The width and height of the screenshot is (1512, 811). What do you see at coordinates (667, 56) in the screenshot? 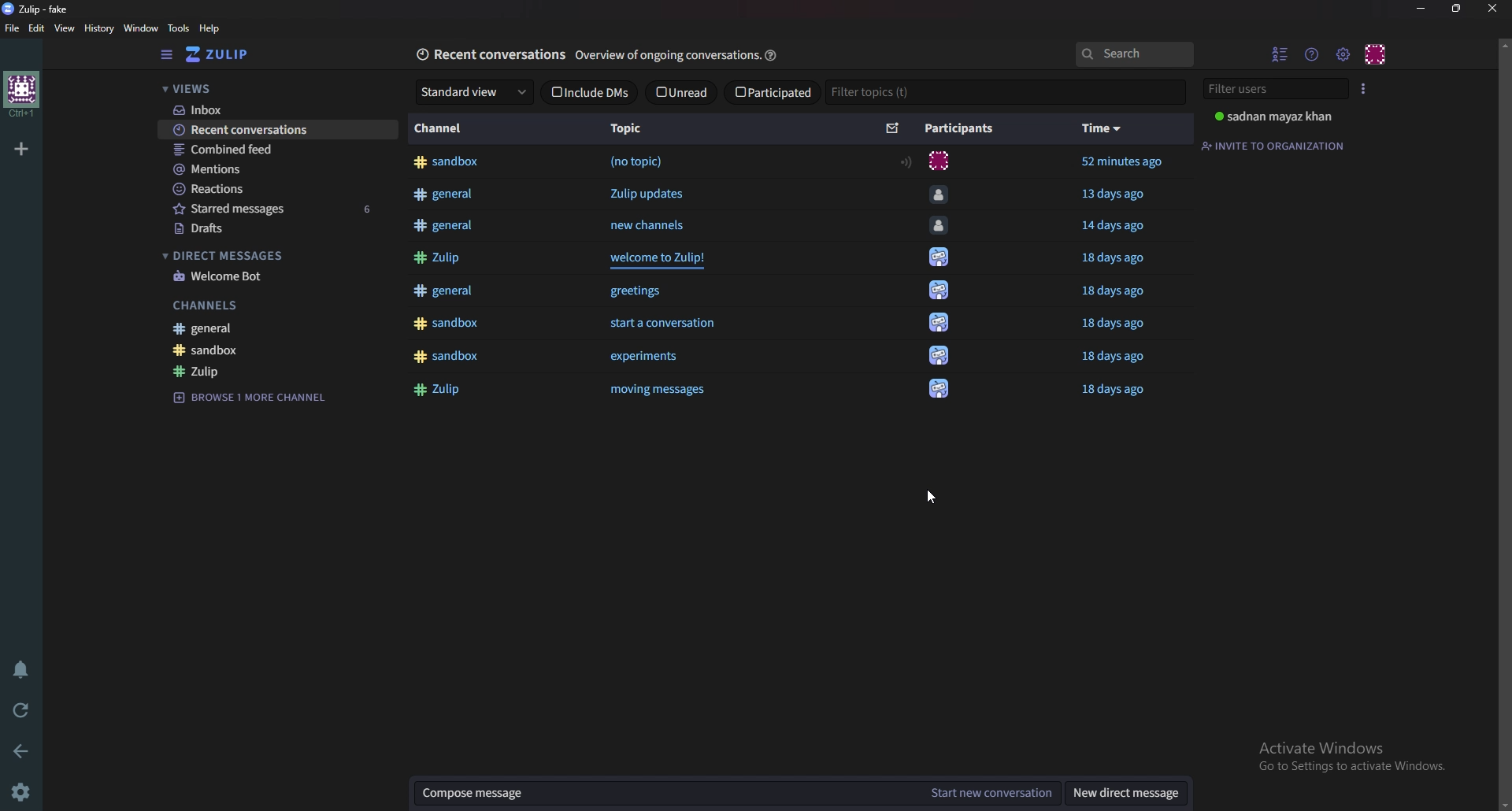
I see `overview of ongoing conversations` at bounding box center [667, 56].